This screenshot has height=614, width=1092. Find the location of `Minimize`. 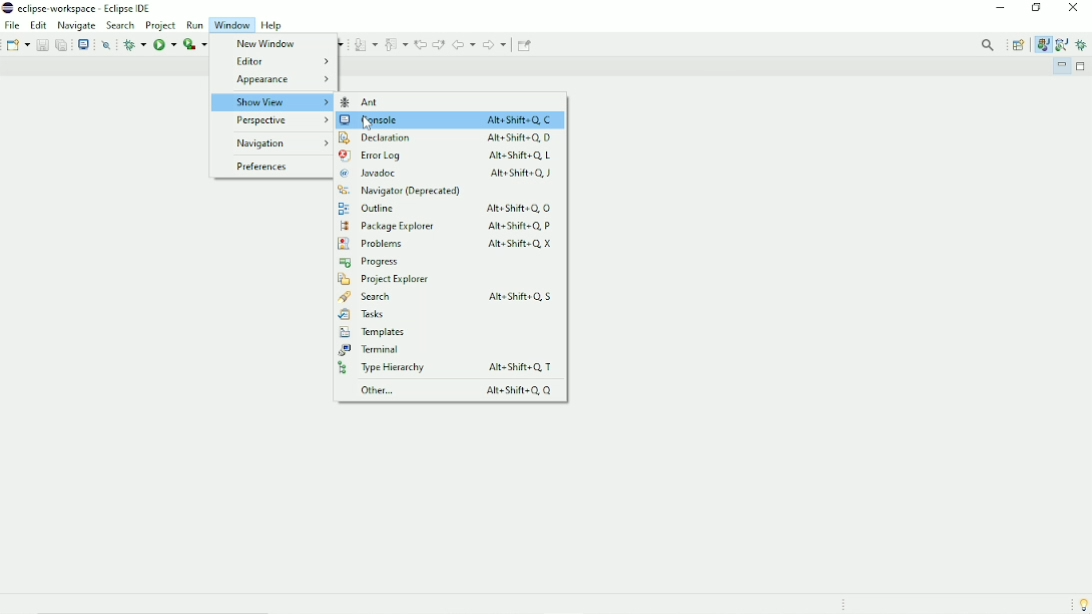

Minimize is located at coordinates (1060, 66).